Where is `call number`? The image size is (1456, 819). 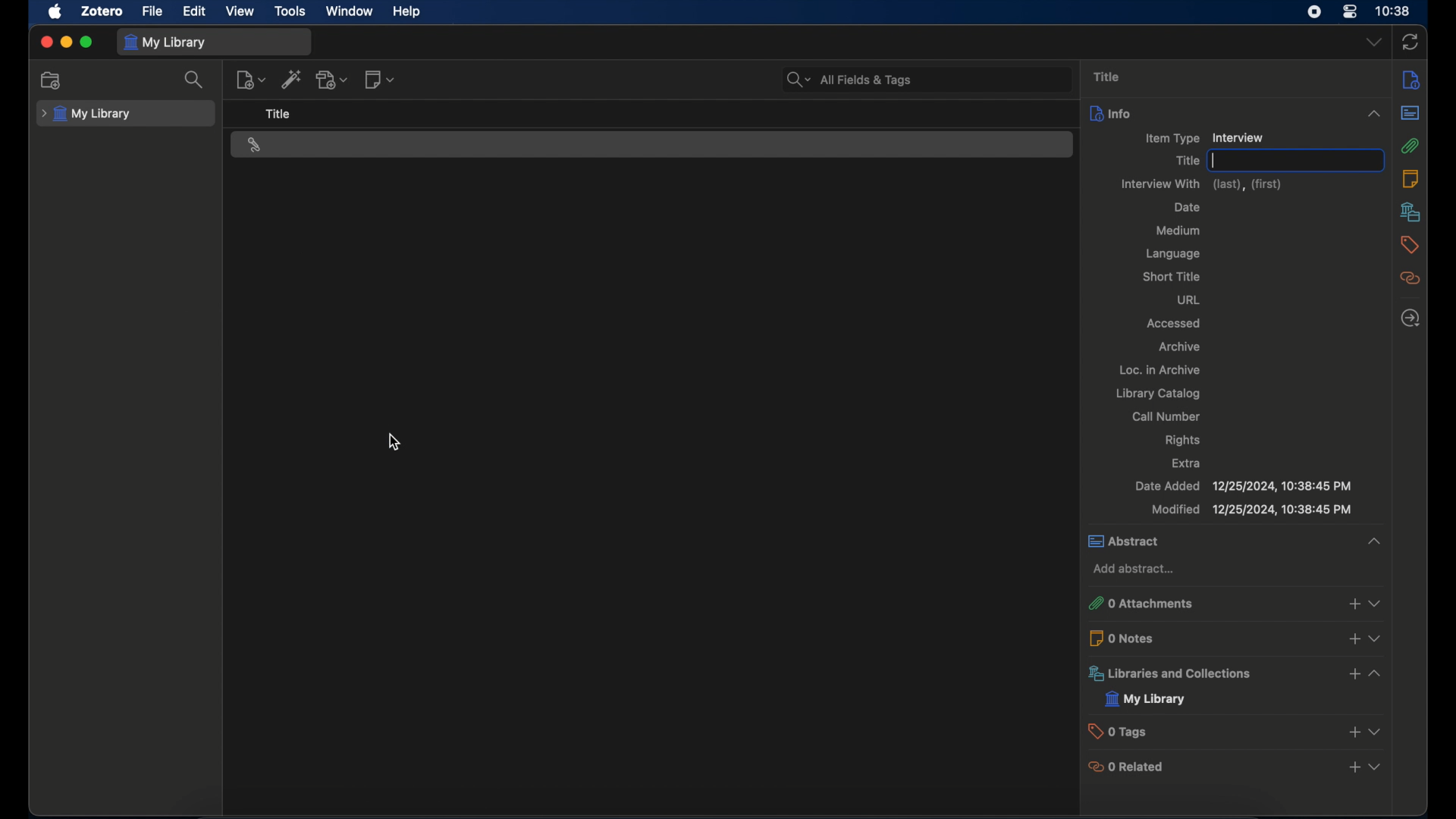
call number is located at coordinates (1169, 416).